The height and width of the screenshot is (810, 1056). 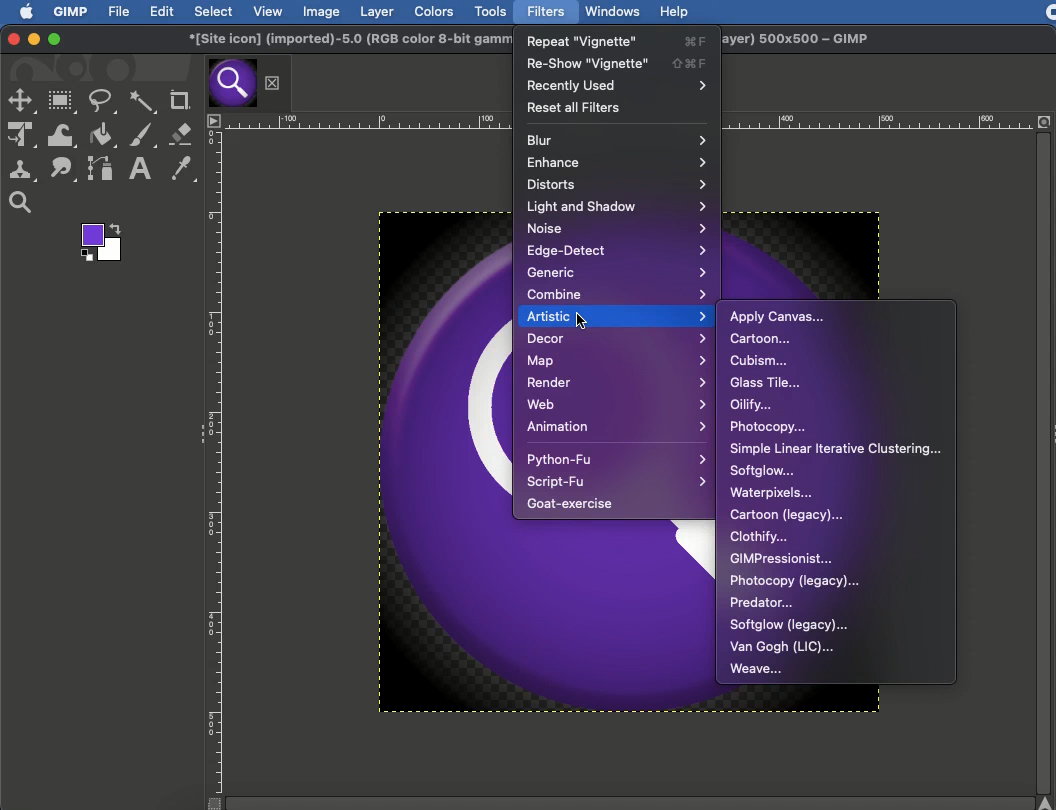 What do you see at coordinates (612, 10) in the screenshot?
I see `Windows` at bounding box center [612, 10].